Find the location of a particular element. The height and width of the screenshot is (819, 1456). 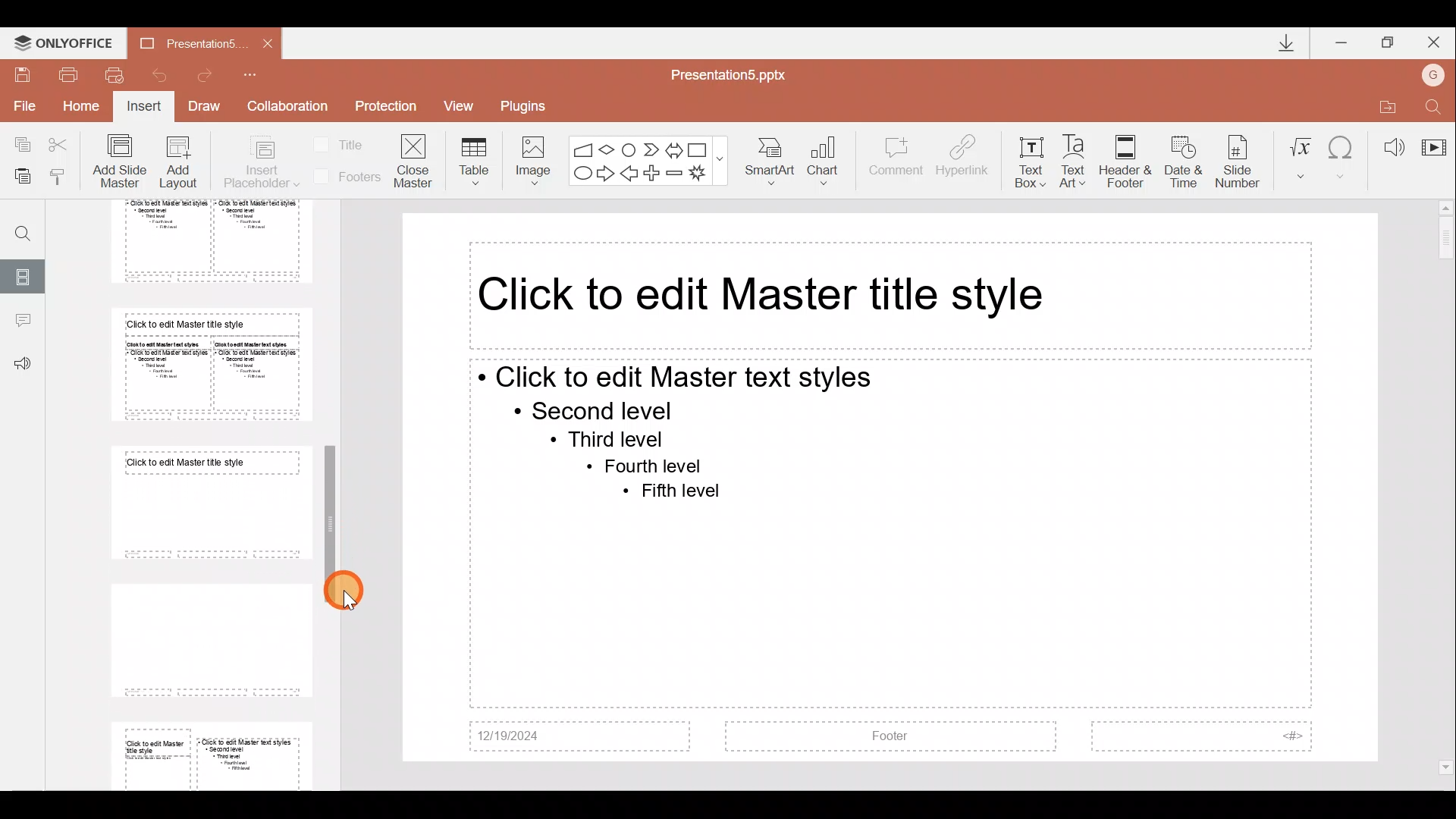

Undo is located at coordinates (158, 74).